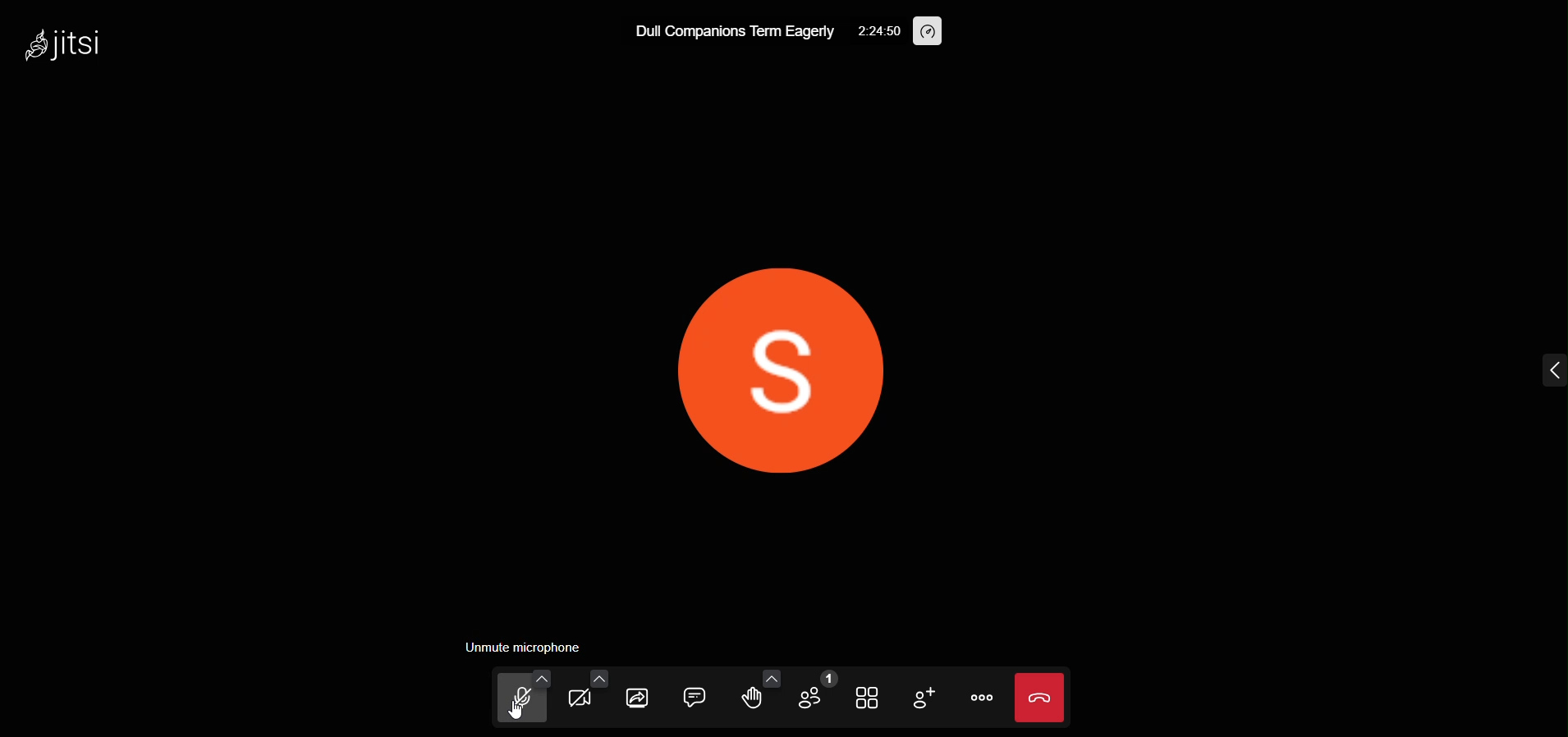  Describe the element at coordinates (695, 695) in the screenshot. I see `chat` at that location.